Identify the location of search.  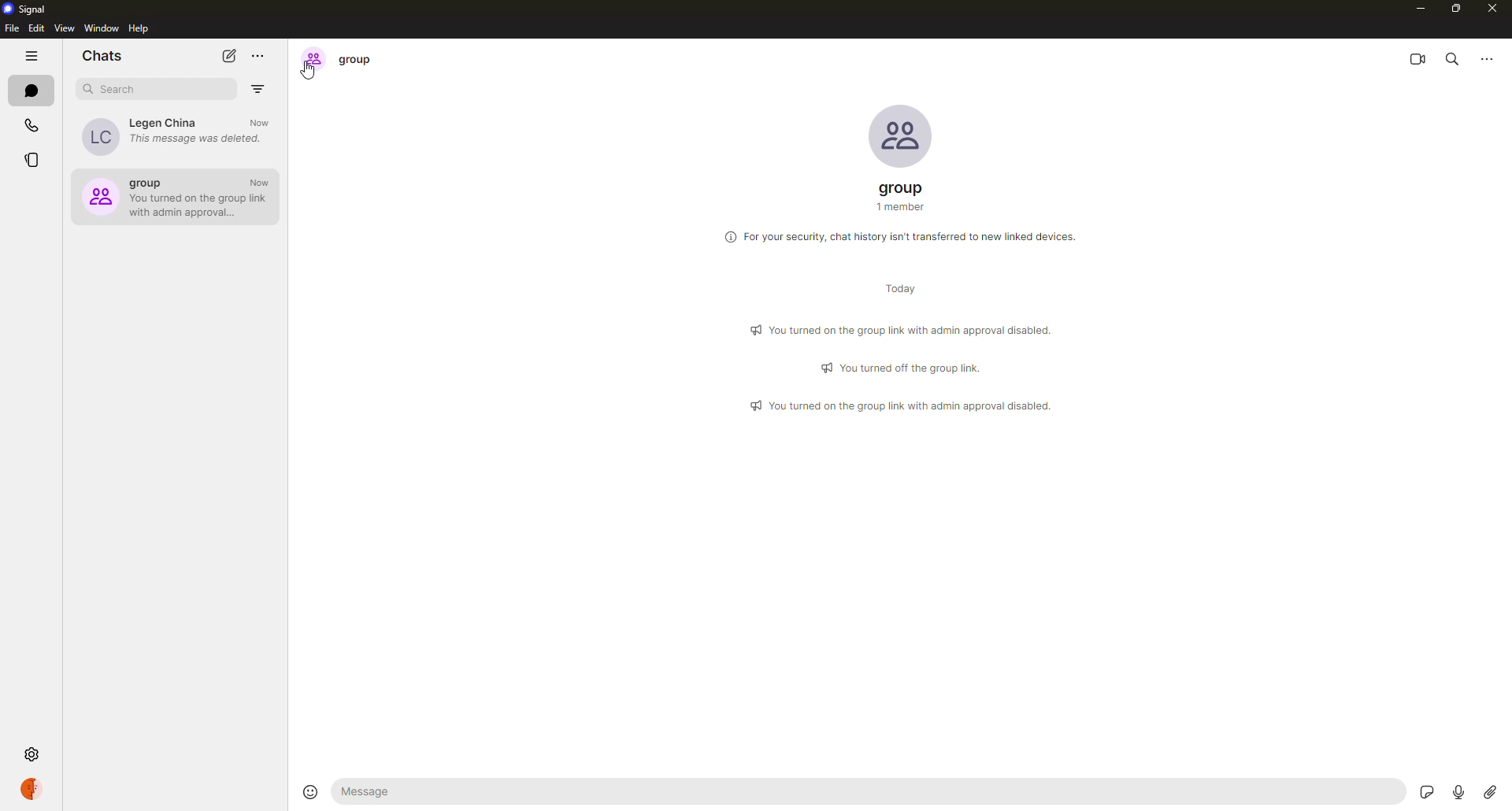
(117, 89).